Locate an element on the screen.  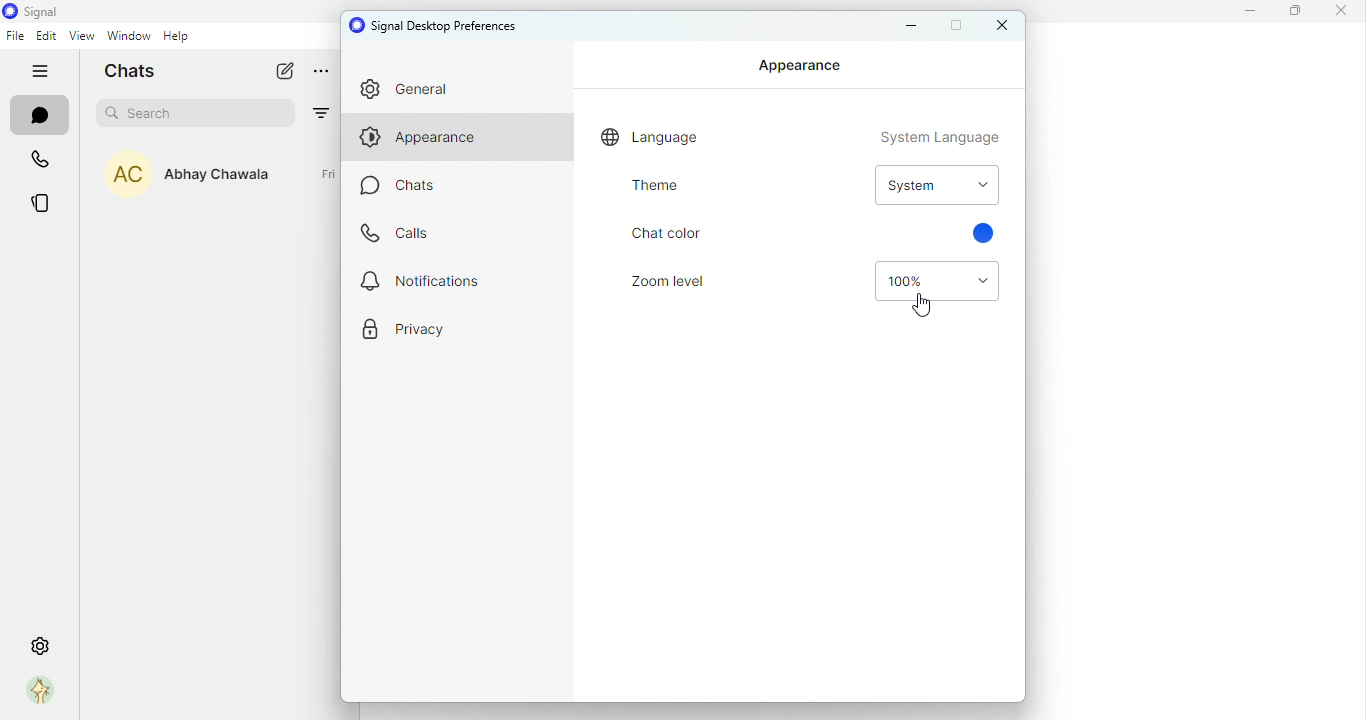
close is located at coordinates (1345, 14).